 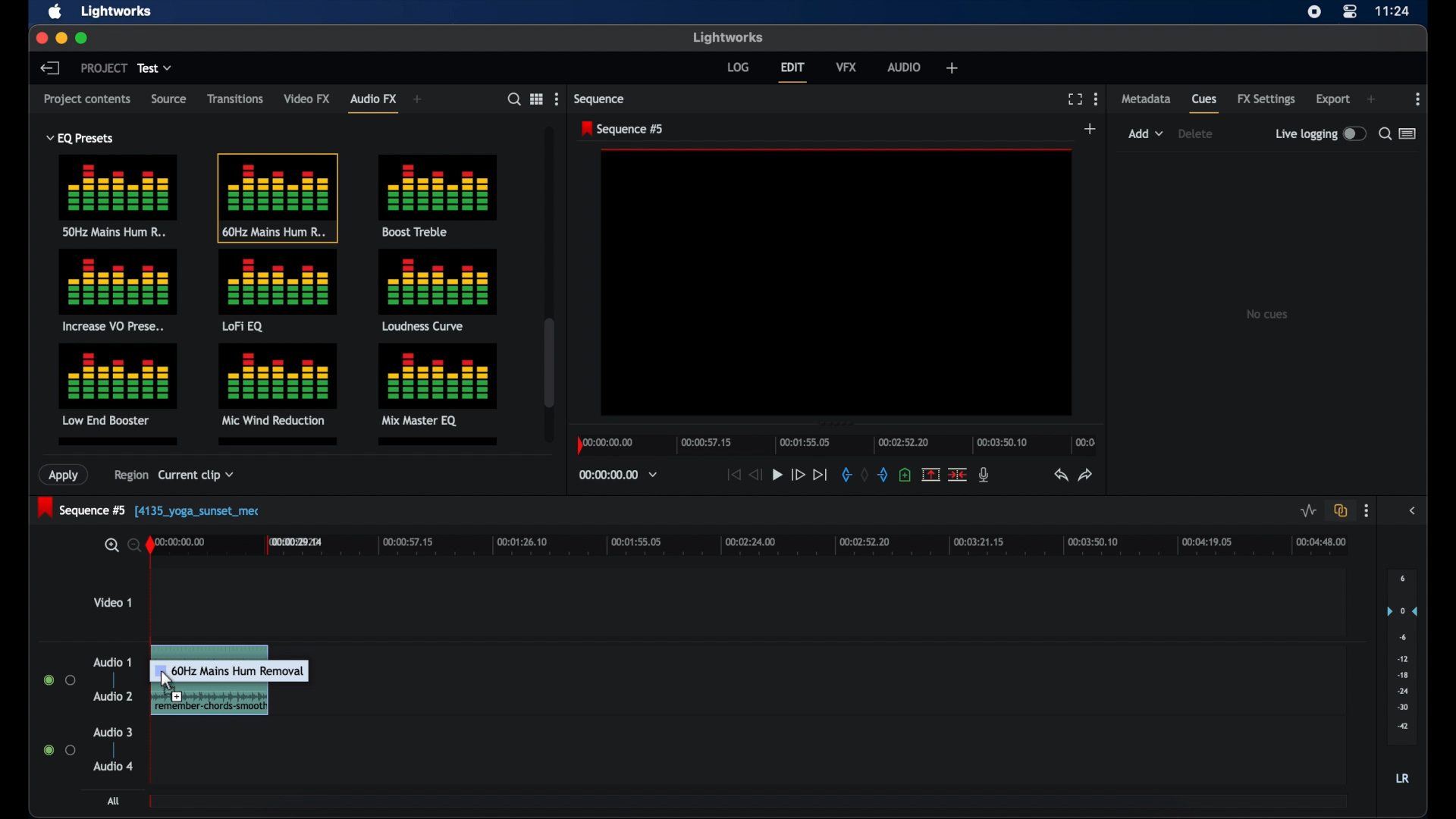 I want to click on time, so click(x=1393, y=11).